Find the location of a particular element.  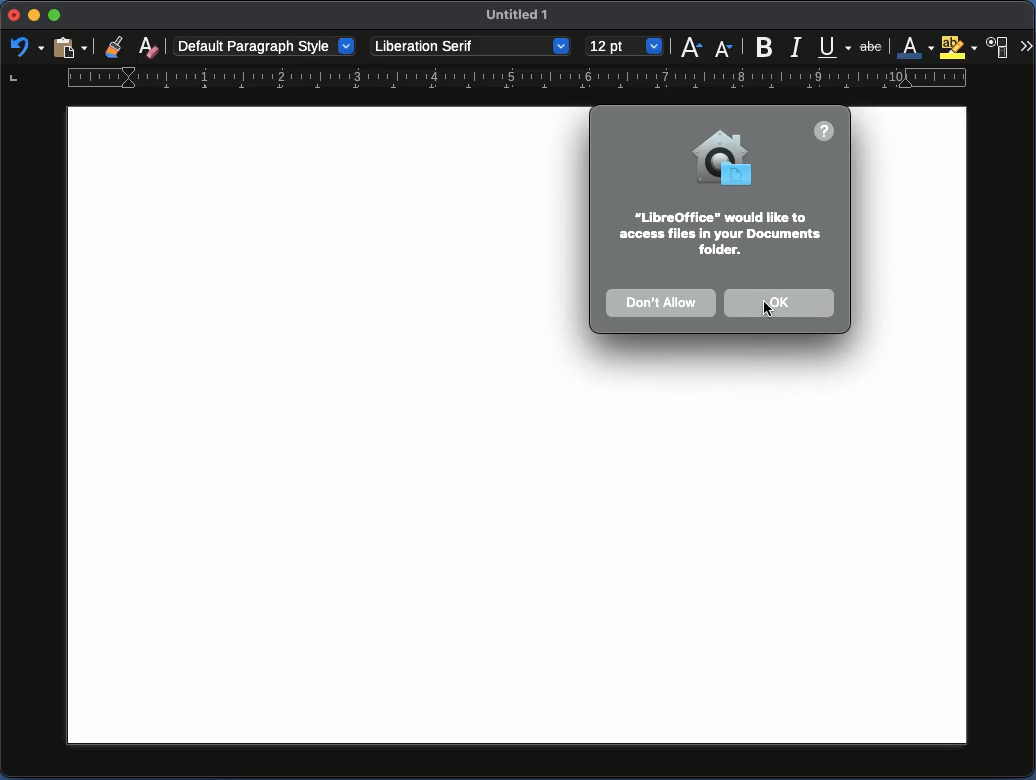

Paragraph style is located at coordinates (265, 45).